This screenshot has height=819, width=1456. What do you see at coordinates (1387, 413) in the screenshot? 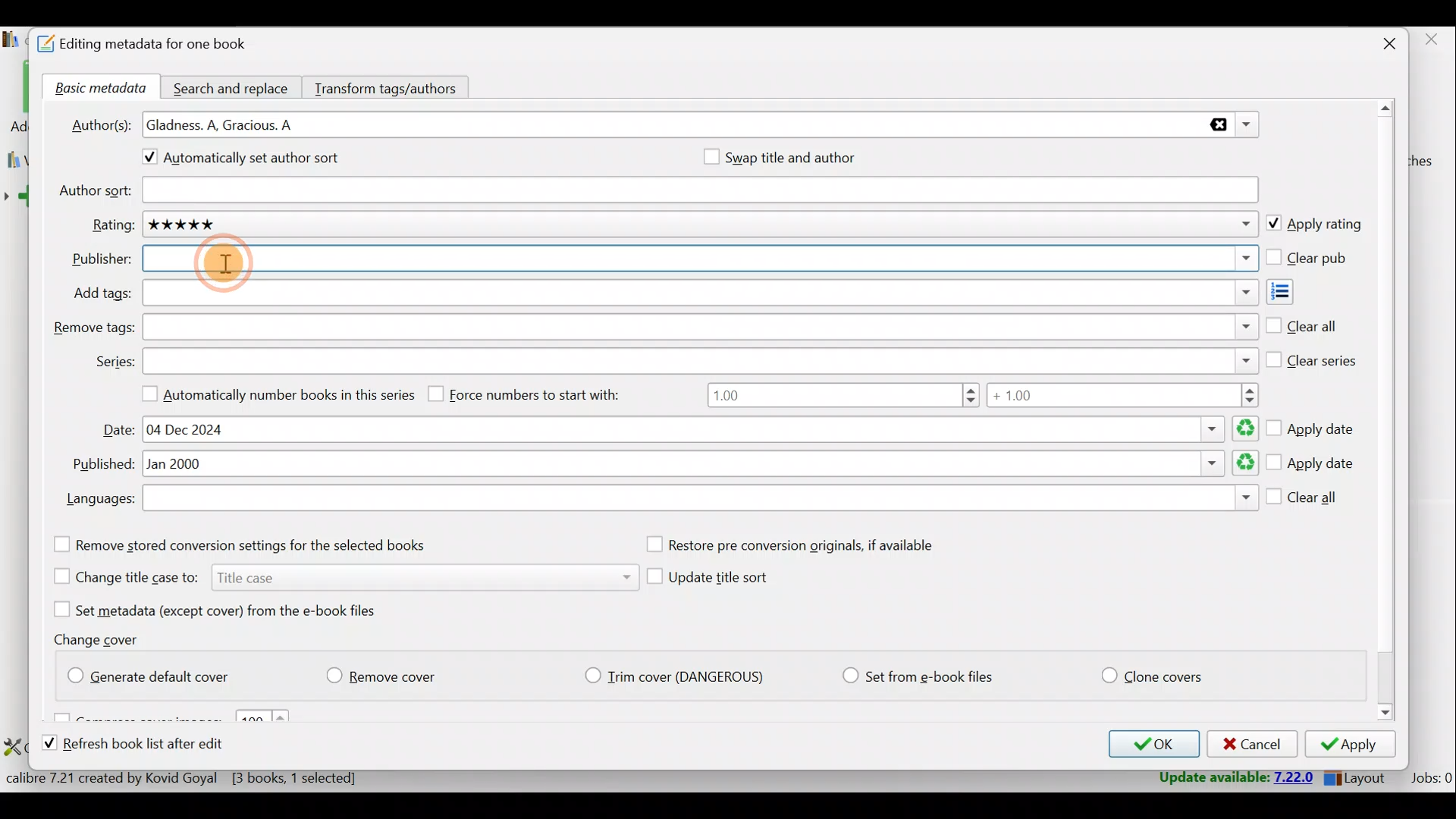
I see `Scroll bar` at bounding box center [1387, 413].